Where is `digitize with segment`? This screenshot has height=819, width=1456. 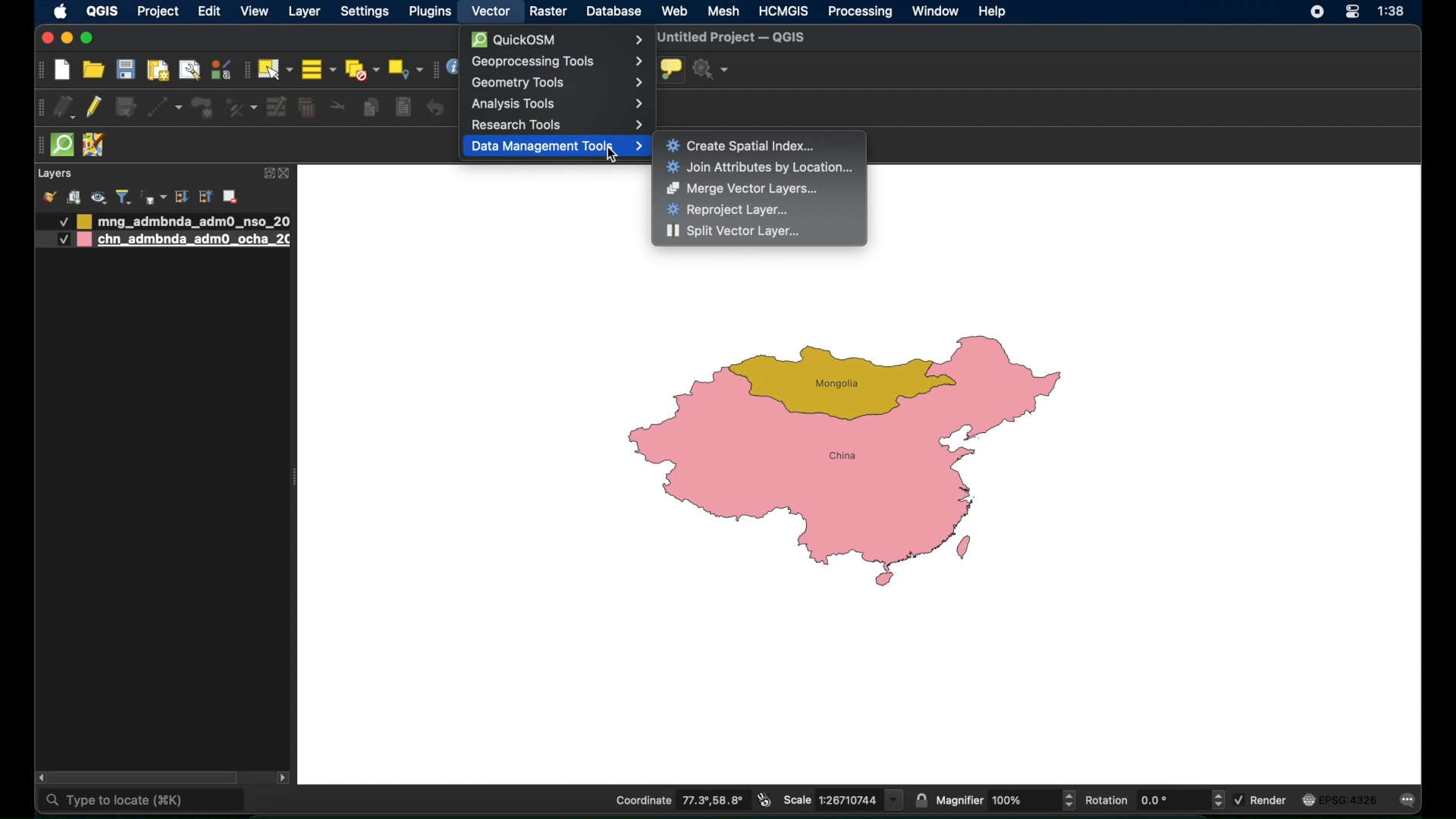
digitize with segment is located at coordinates (165, 108).